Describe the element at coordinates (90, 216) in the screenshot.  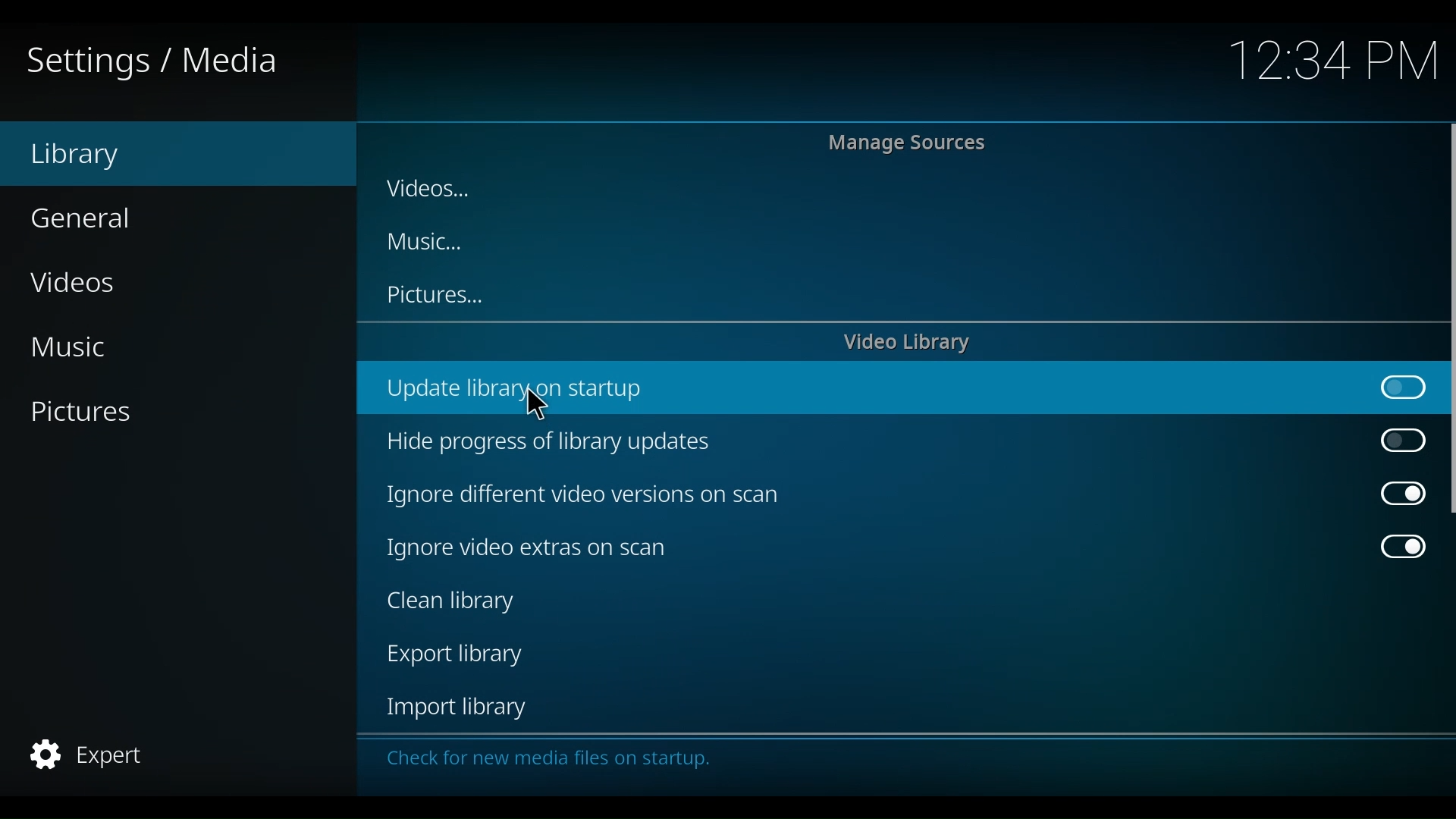
I see `General` at that location.